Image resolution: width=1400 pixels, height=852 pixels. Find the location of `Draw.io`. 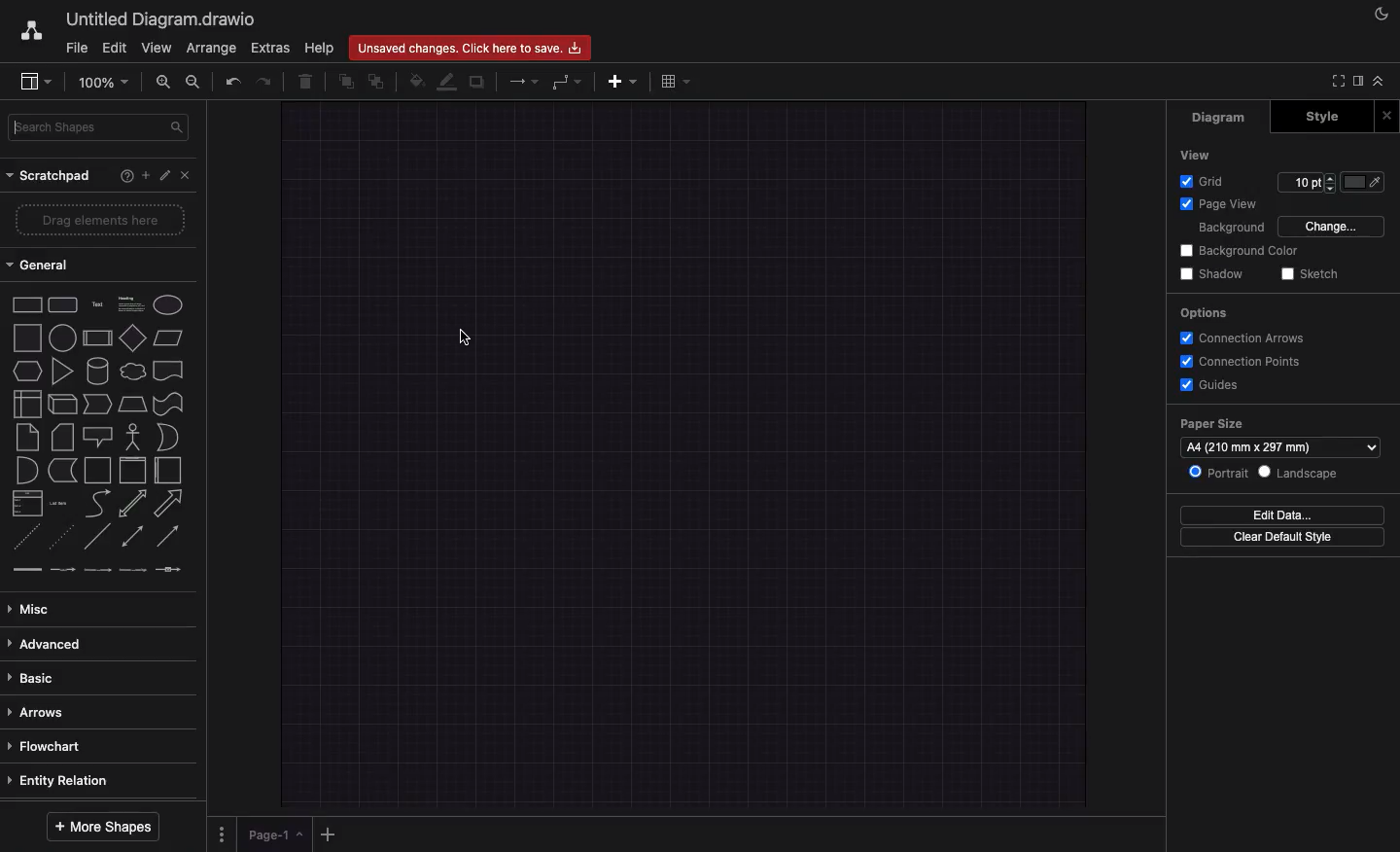

Draw.io is located at coordinates (30, 30).